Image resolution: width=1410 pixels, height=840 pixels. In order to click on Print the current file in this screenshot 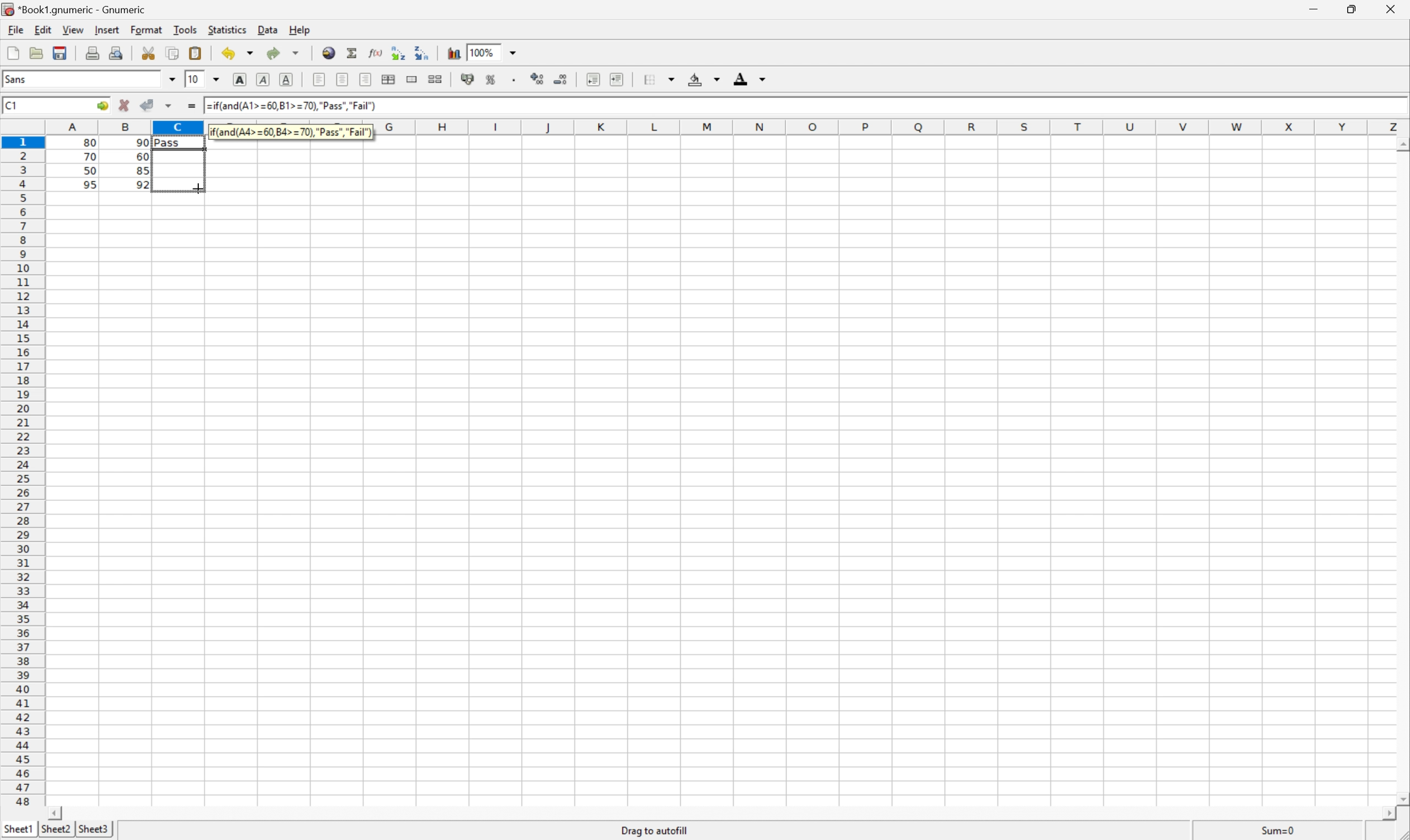, I will do `click(91, 53)`.